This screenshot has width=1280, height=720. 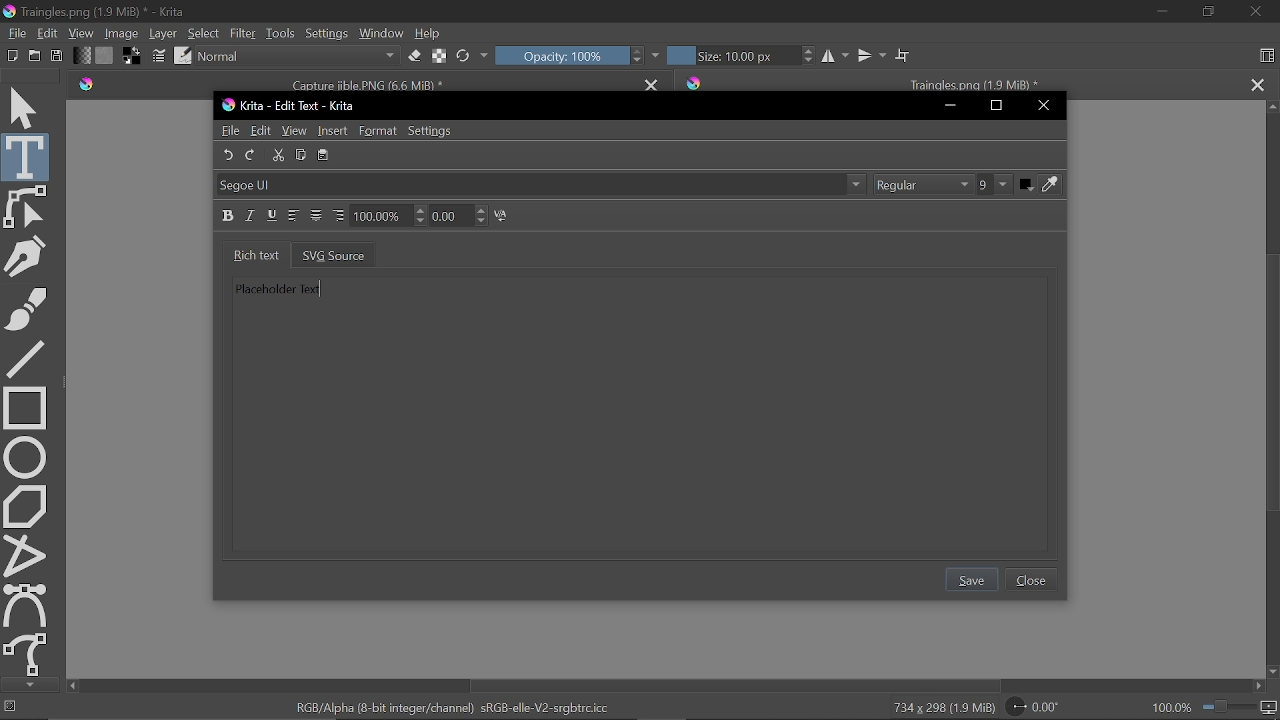 What do you see at coordinates (164, 33) in the screenshot?
I see `Layer` at bounding box center [164, 33].